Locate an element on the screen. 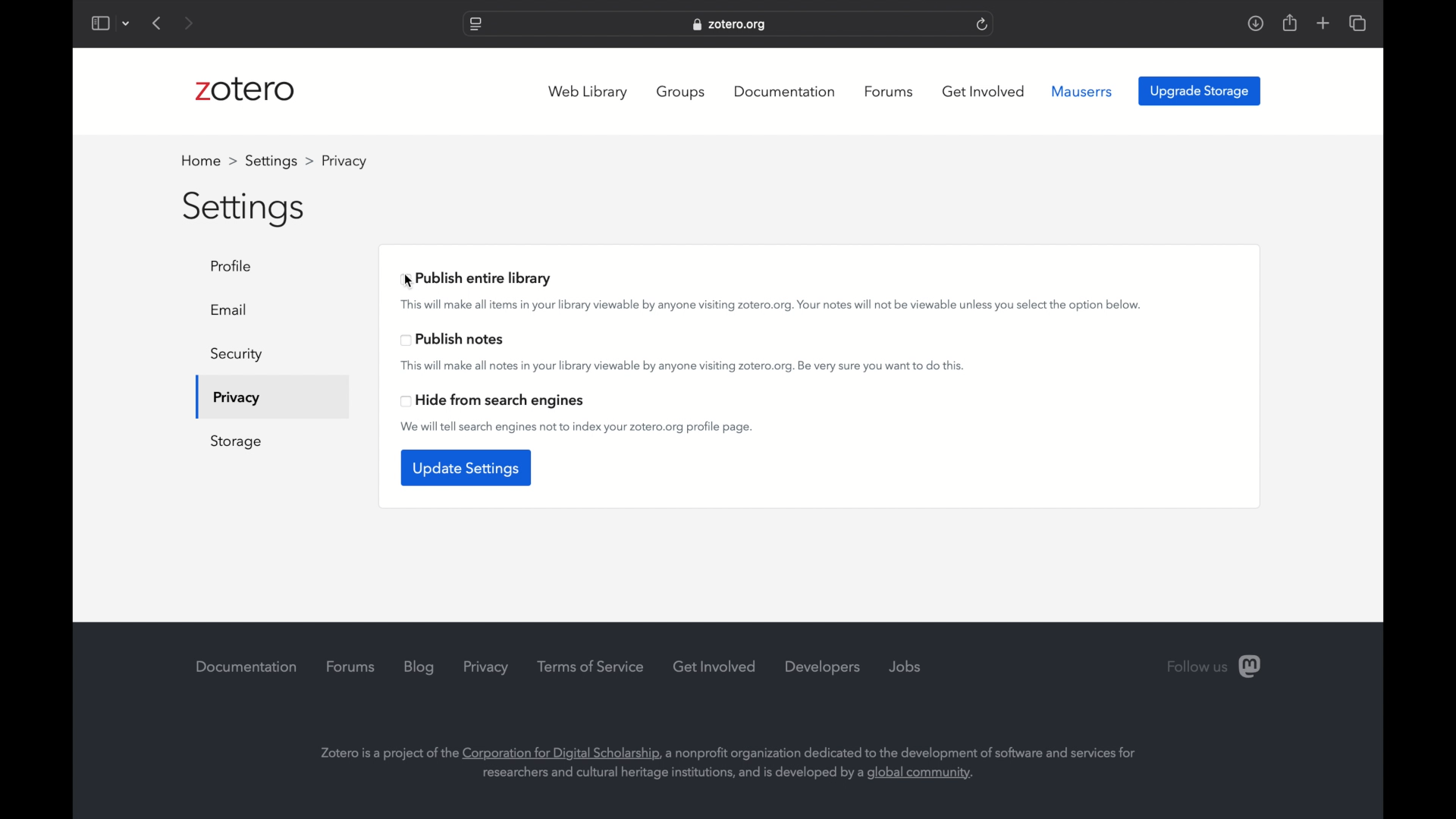  This will make all items in your library viewable is located at coordinates (770, 306).